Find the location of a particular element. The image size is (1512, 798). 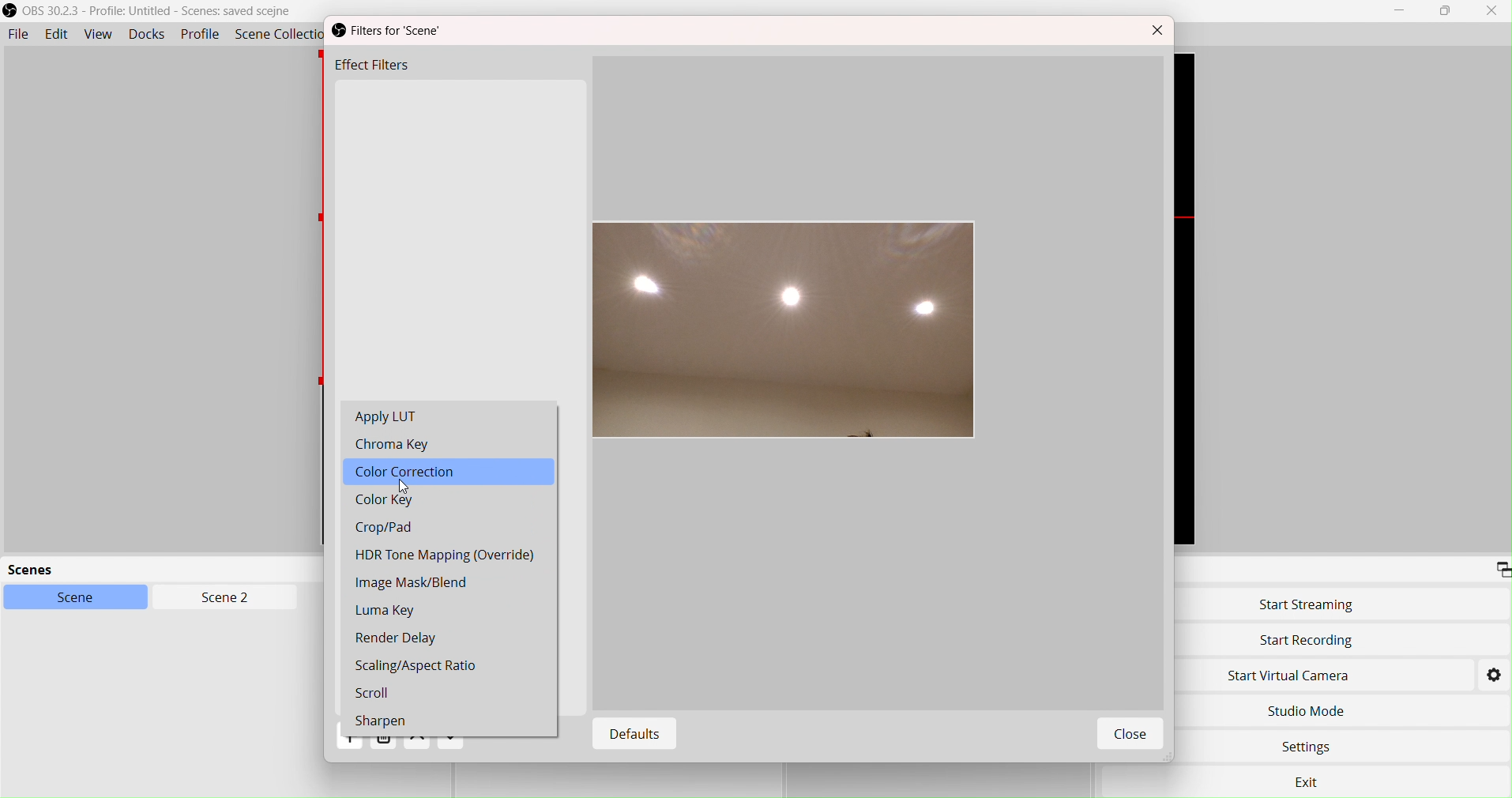

Defaults is located at coordinates (630, 735).